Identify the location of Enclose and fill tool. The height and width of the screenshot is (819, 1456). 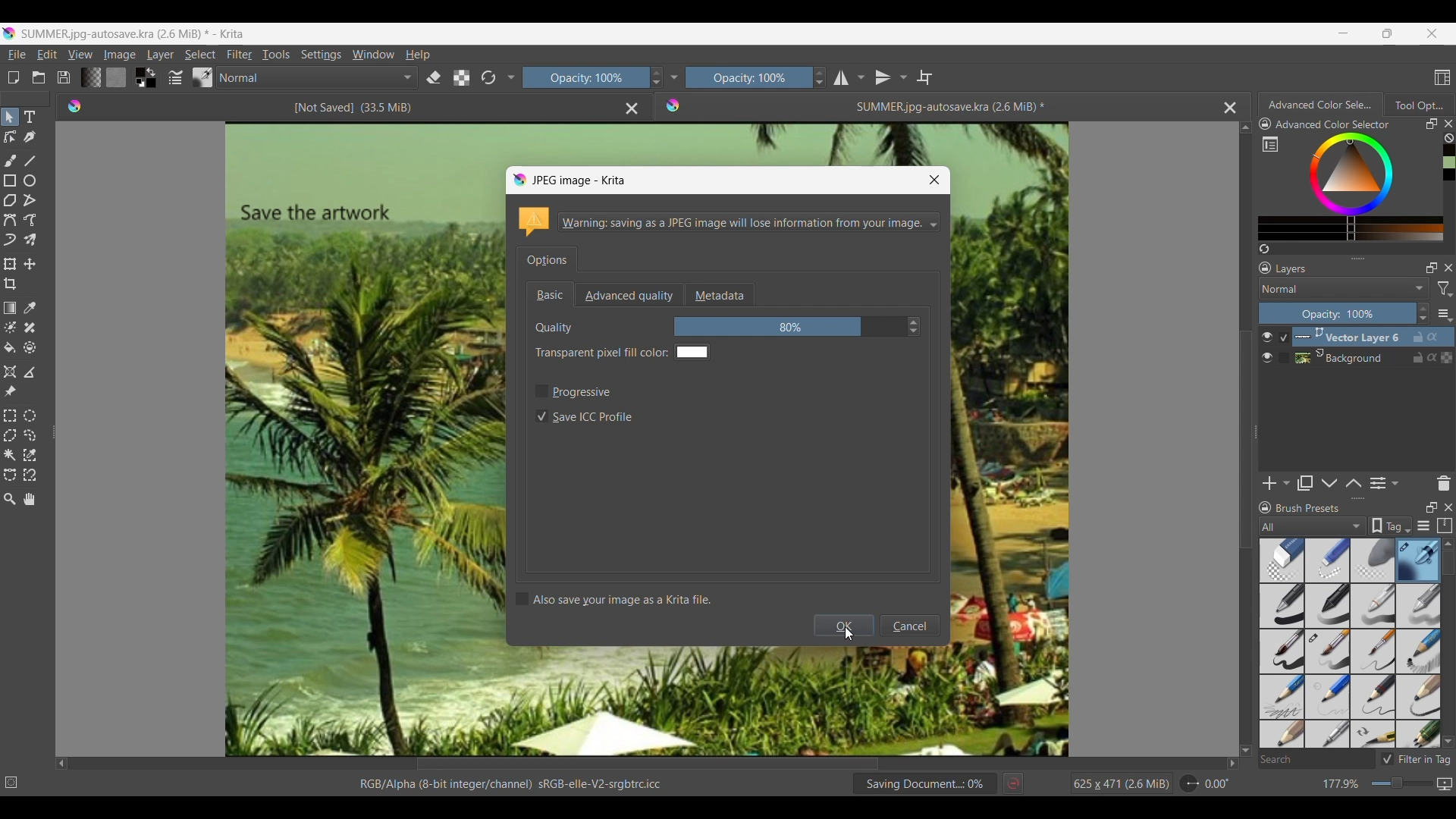
(29, 347).